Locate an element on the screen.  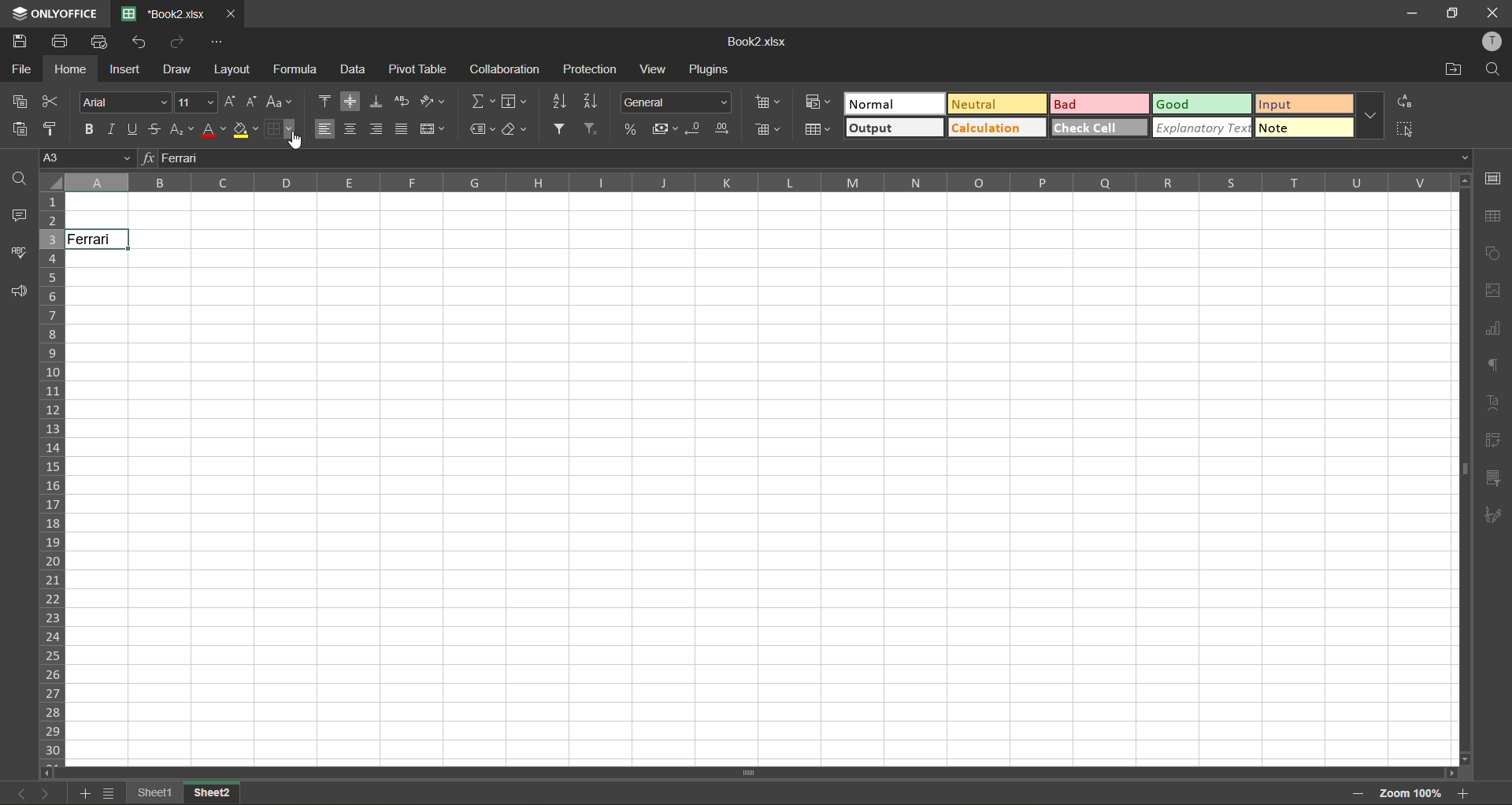
clear filter is located at coordinates (595, 129).